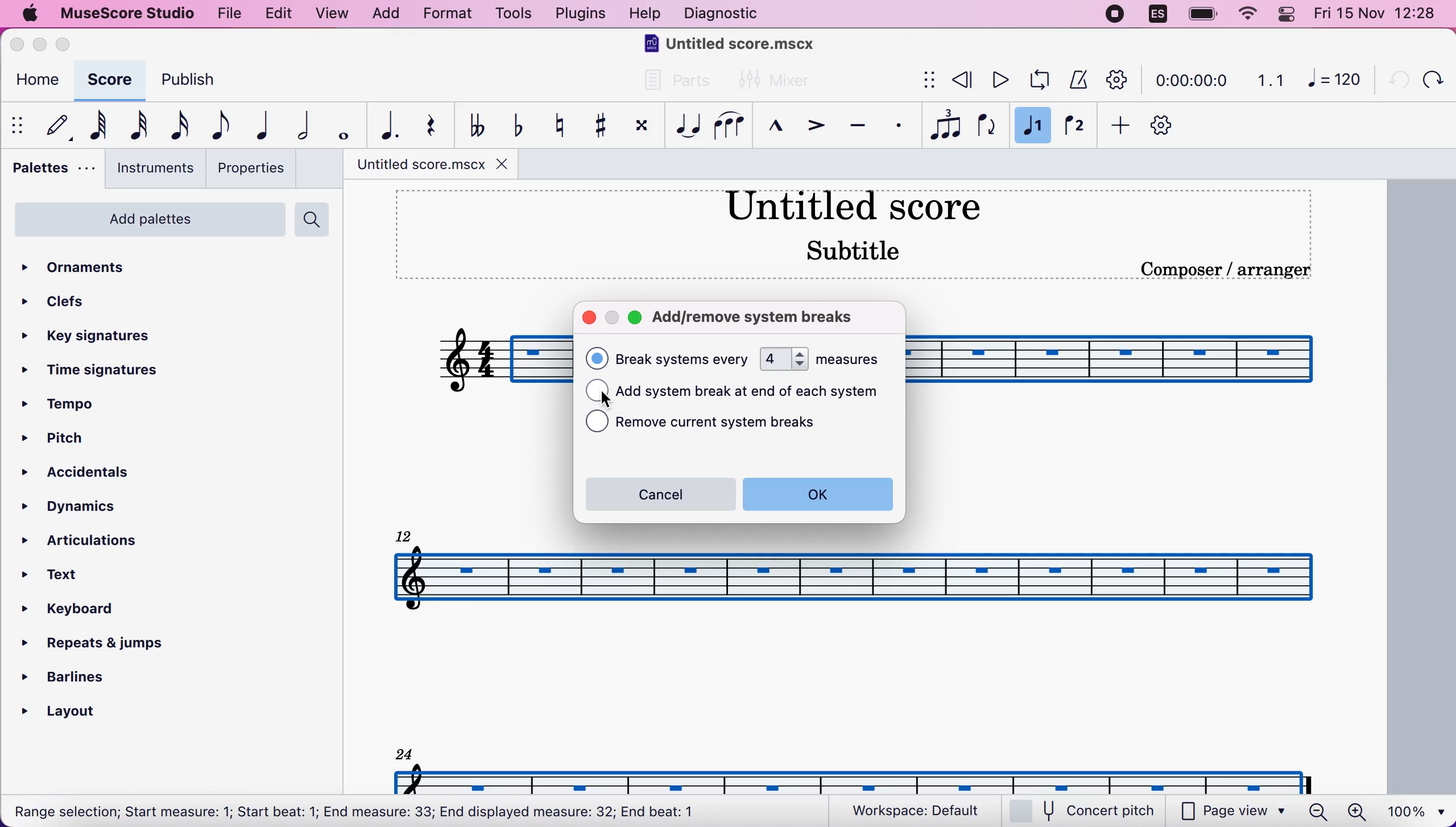  I want to click on checkbox, so click(597, 358).